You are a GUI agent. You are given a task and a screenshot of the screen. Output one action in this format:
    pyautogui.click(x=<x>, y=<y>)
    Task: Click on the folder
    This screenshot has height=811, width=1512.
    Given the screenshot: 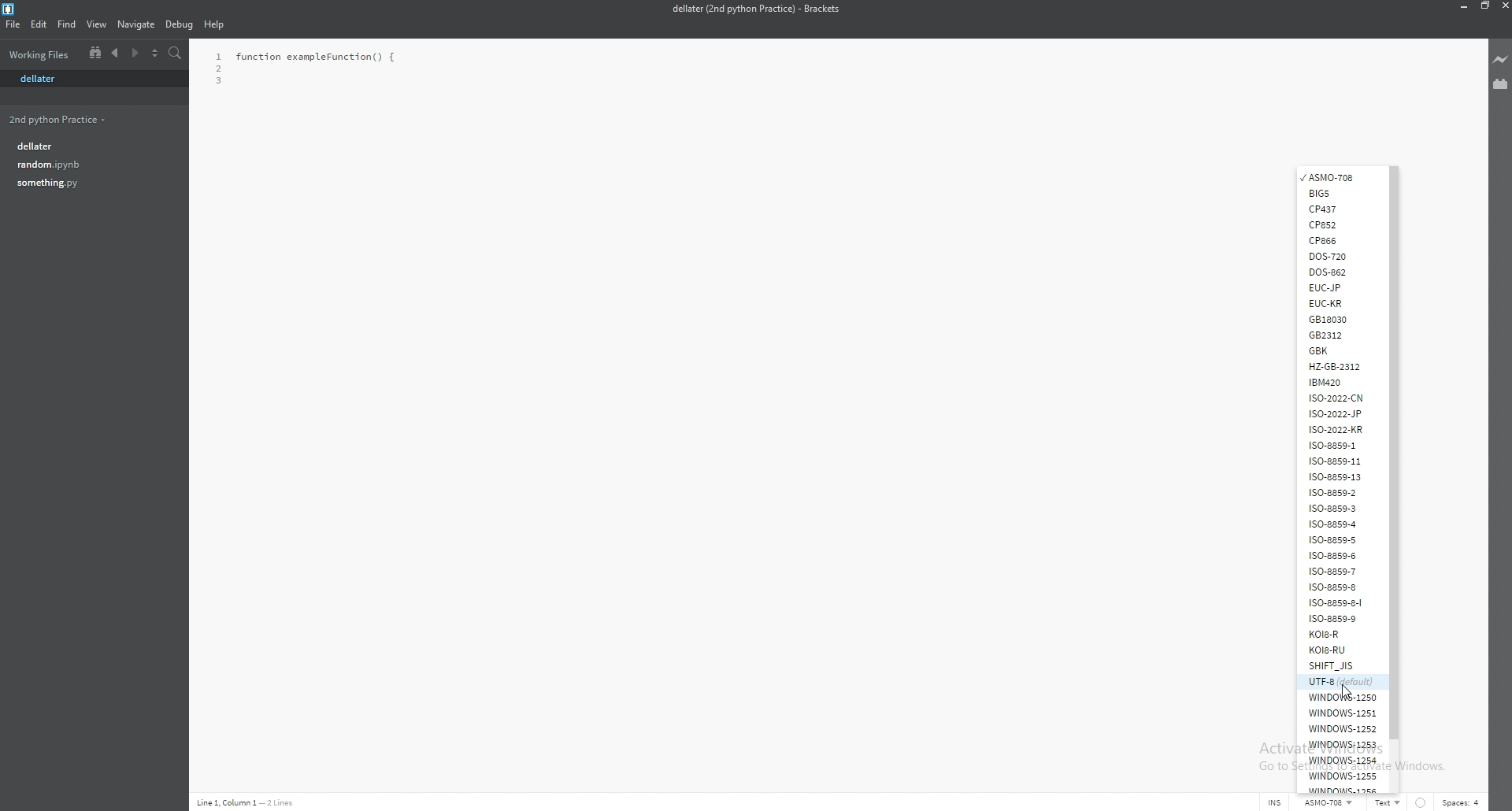 What is the action you would take?
    pyautogui.click(x=42, y=54)
    